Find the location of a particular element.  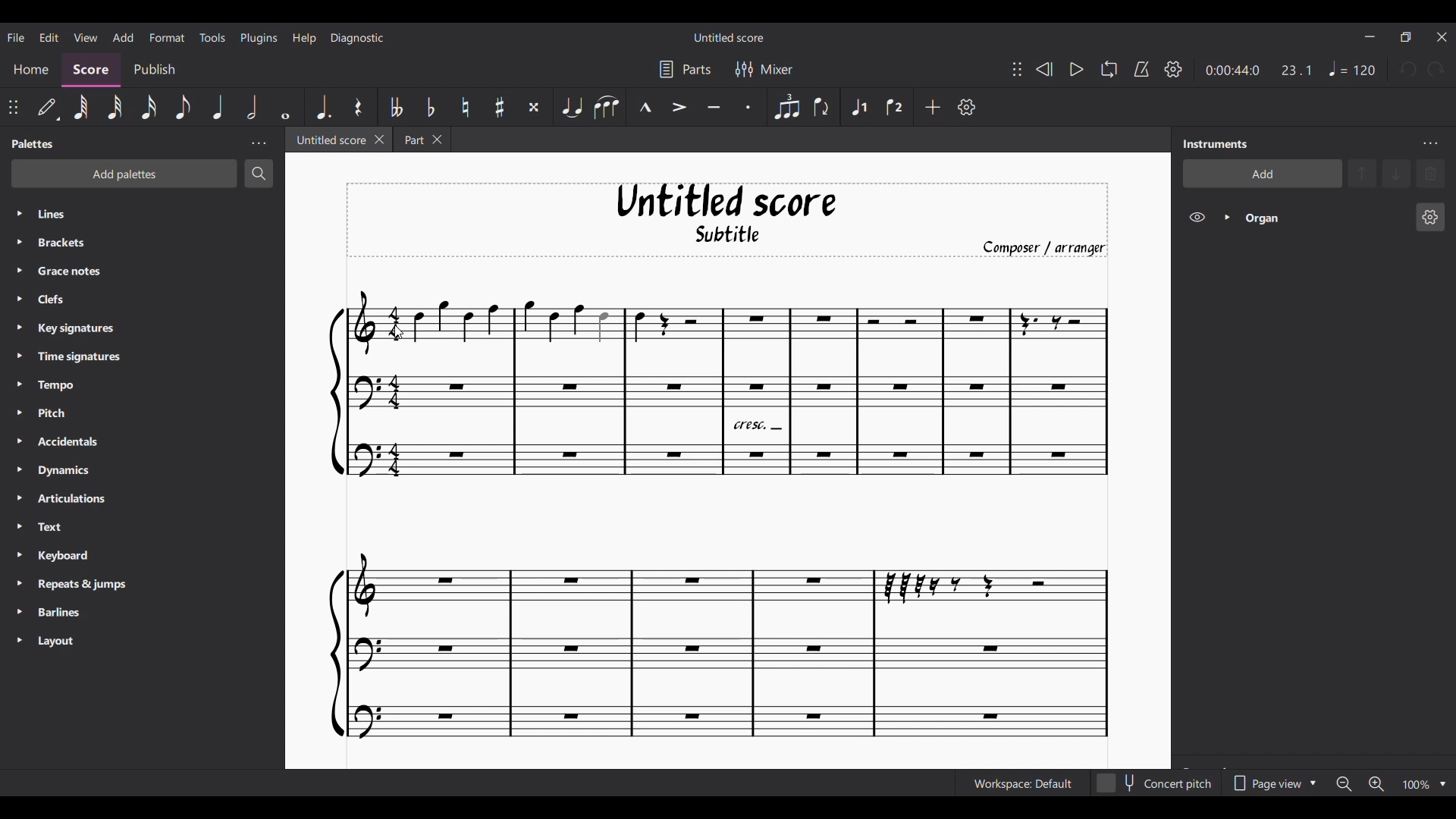

Tuplet is located at coordinates (787, 107).